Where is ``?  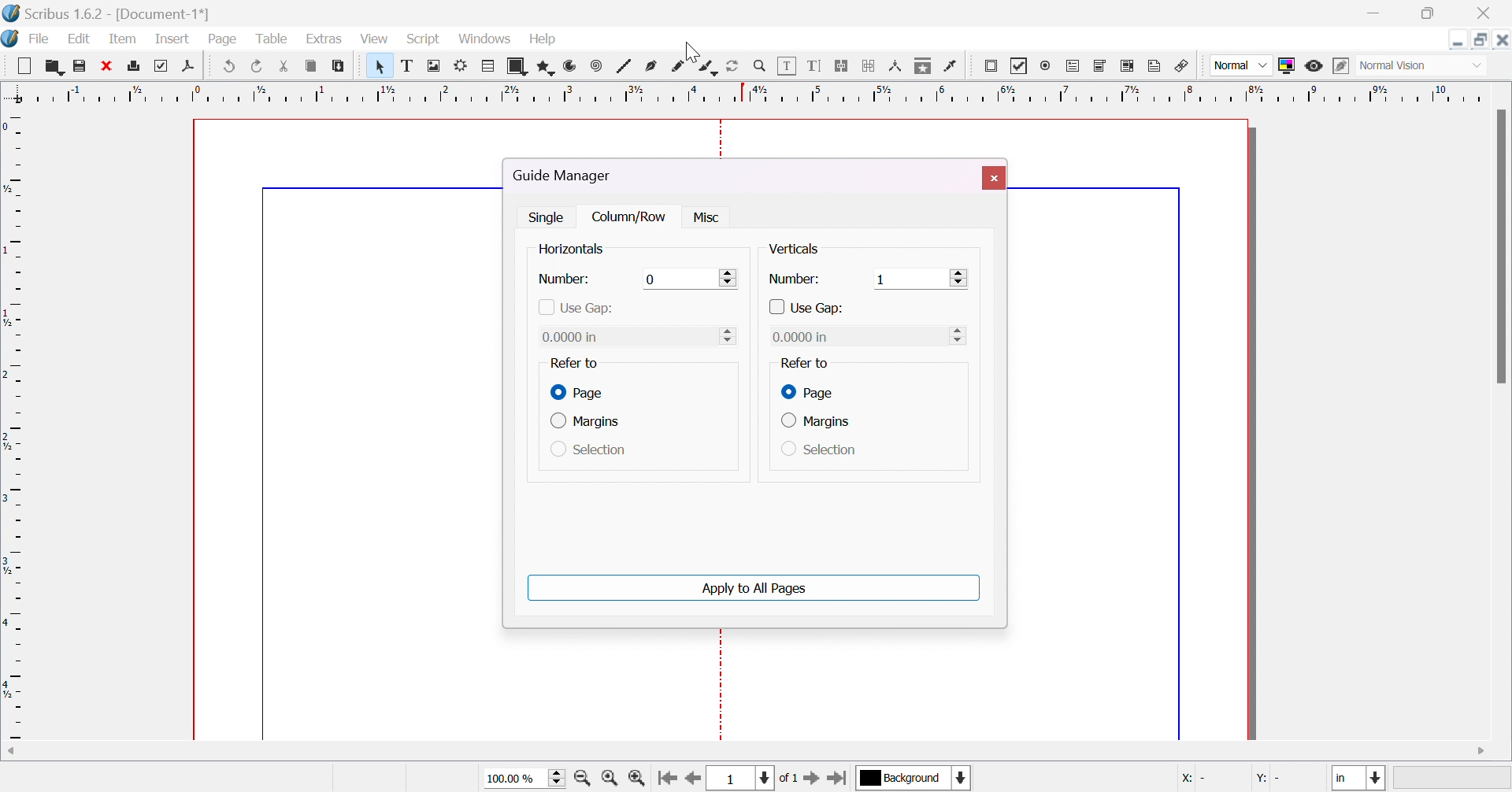
 is located at coordinates (728, 335).